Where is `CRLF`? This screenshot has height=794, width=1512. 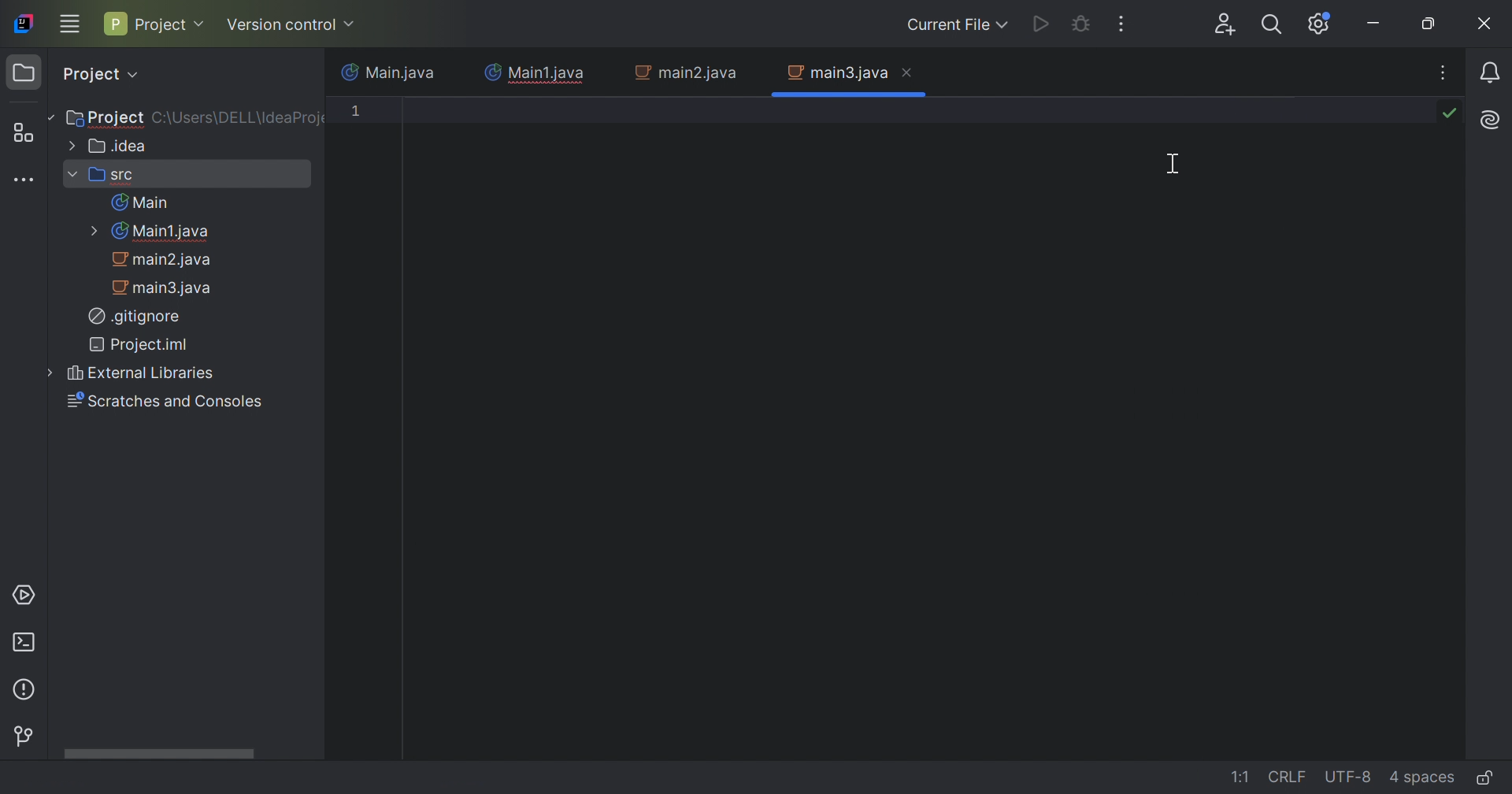 CRLF is located at coordinates (1288, 779).